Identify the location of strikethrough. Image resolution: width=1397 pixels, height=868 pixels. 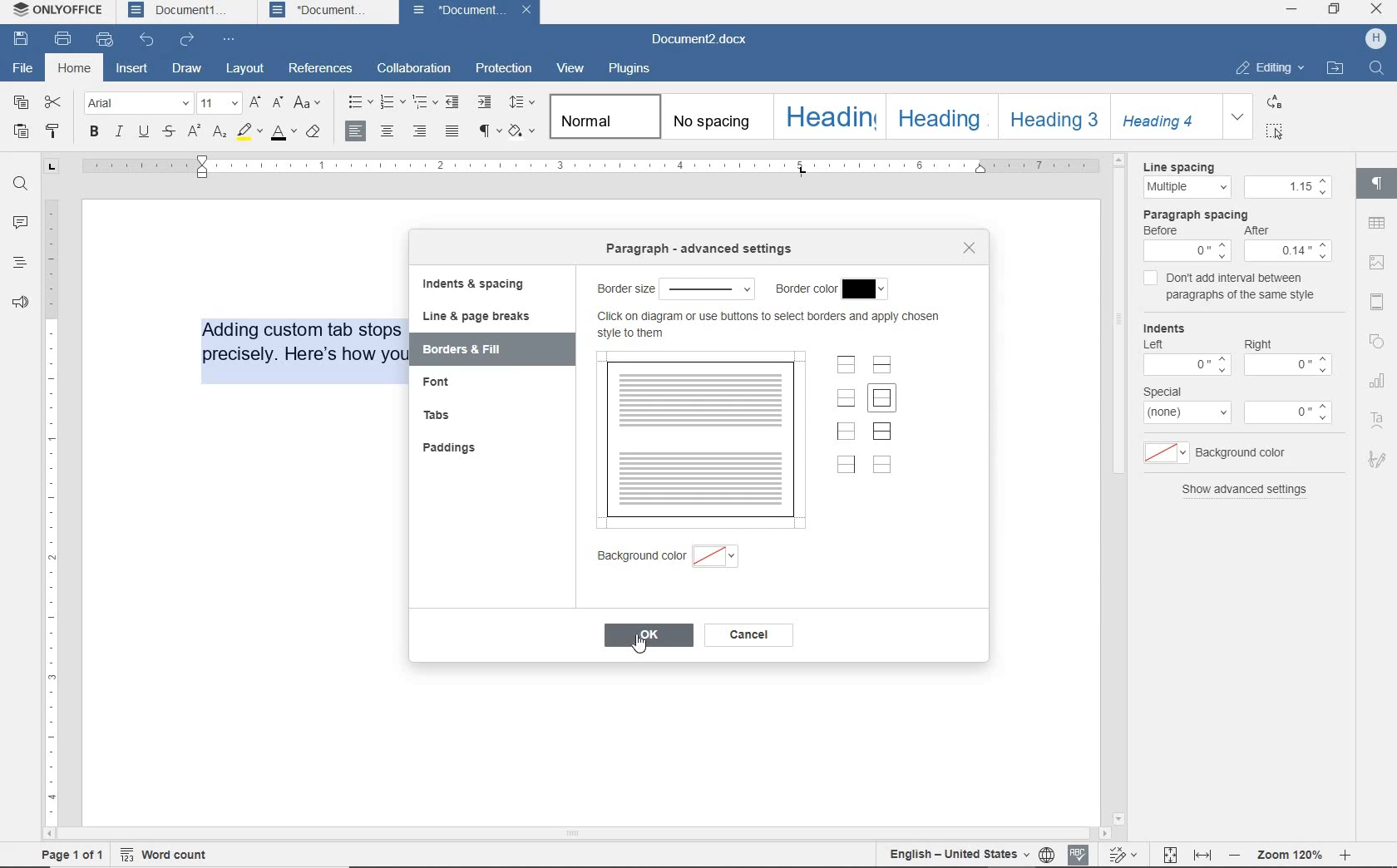
(170, 132).